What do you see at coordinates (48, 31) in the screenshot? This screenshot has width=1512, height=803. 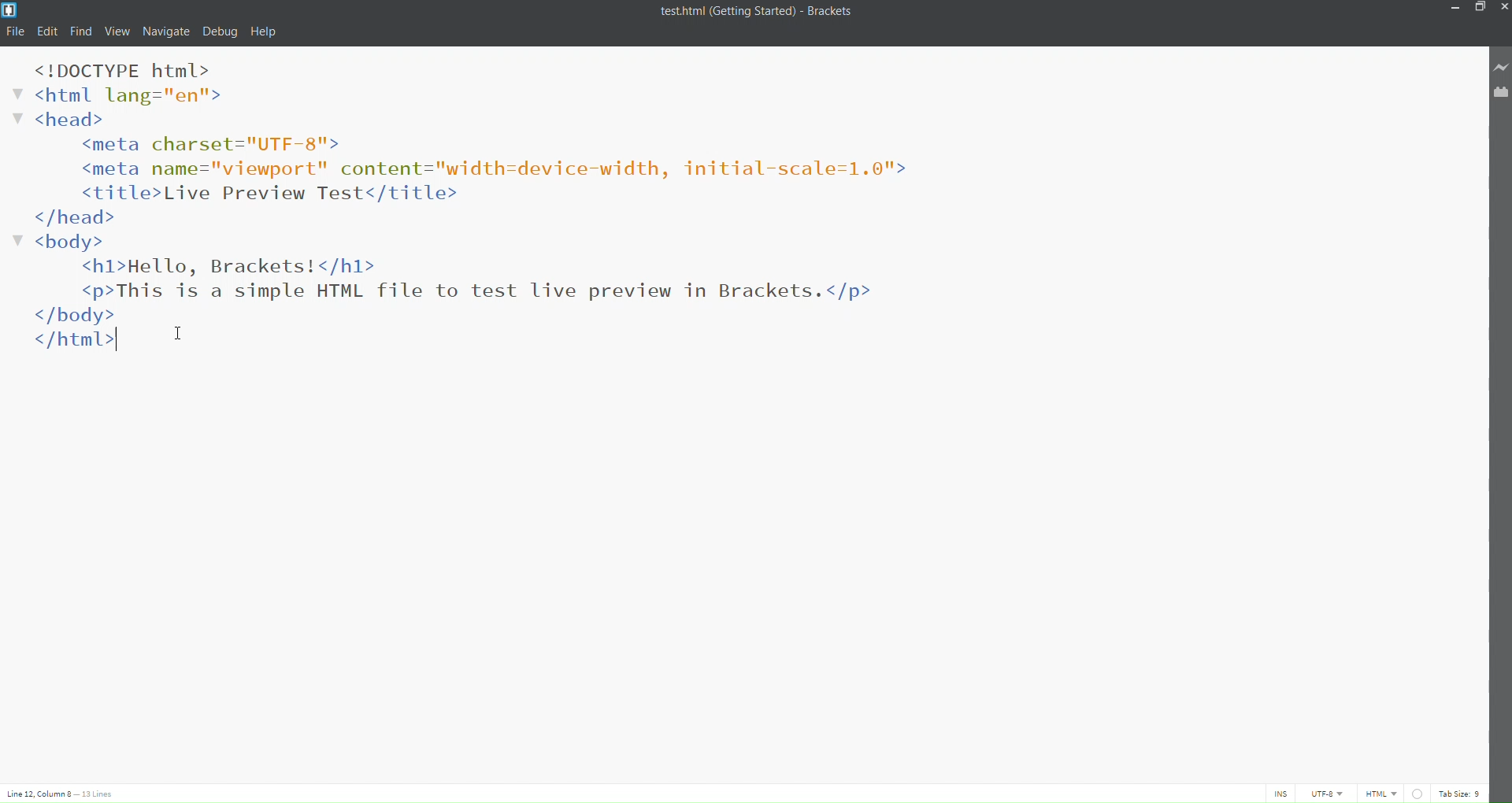 I see `Edit` at bounding box center [48, 31].